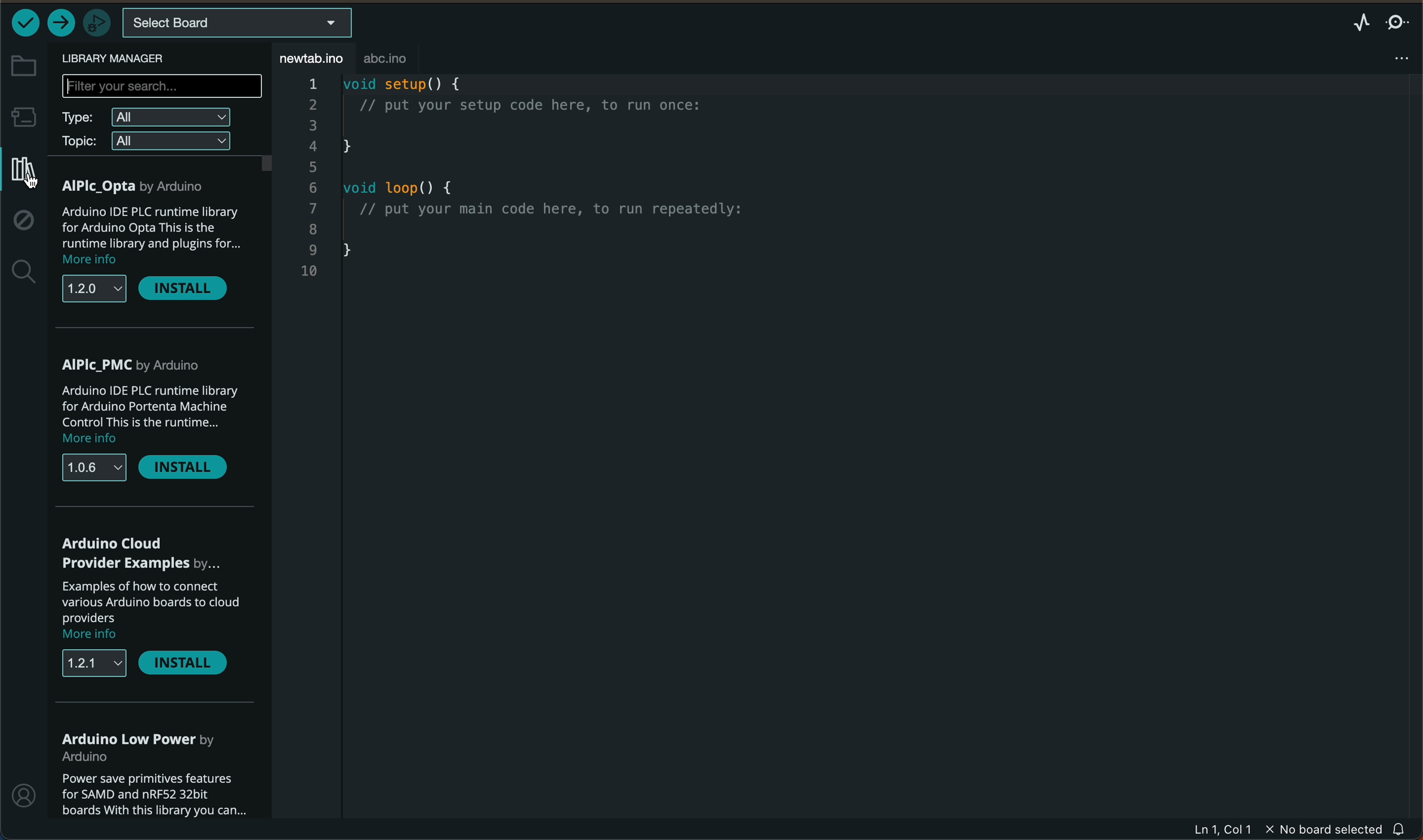 This screenshot has width=1423, height=840. What do you see at coordinates (95, 469) in the screenshot?
I see `versions` at bounding box center [95, 469].